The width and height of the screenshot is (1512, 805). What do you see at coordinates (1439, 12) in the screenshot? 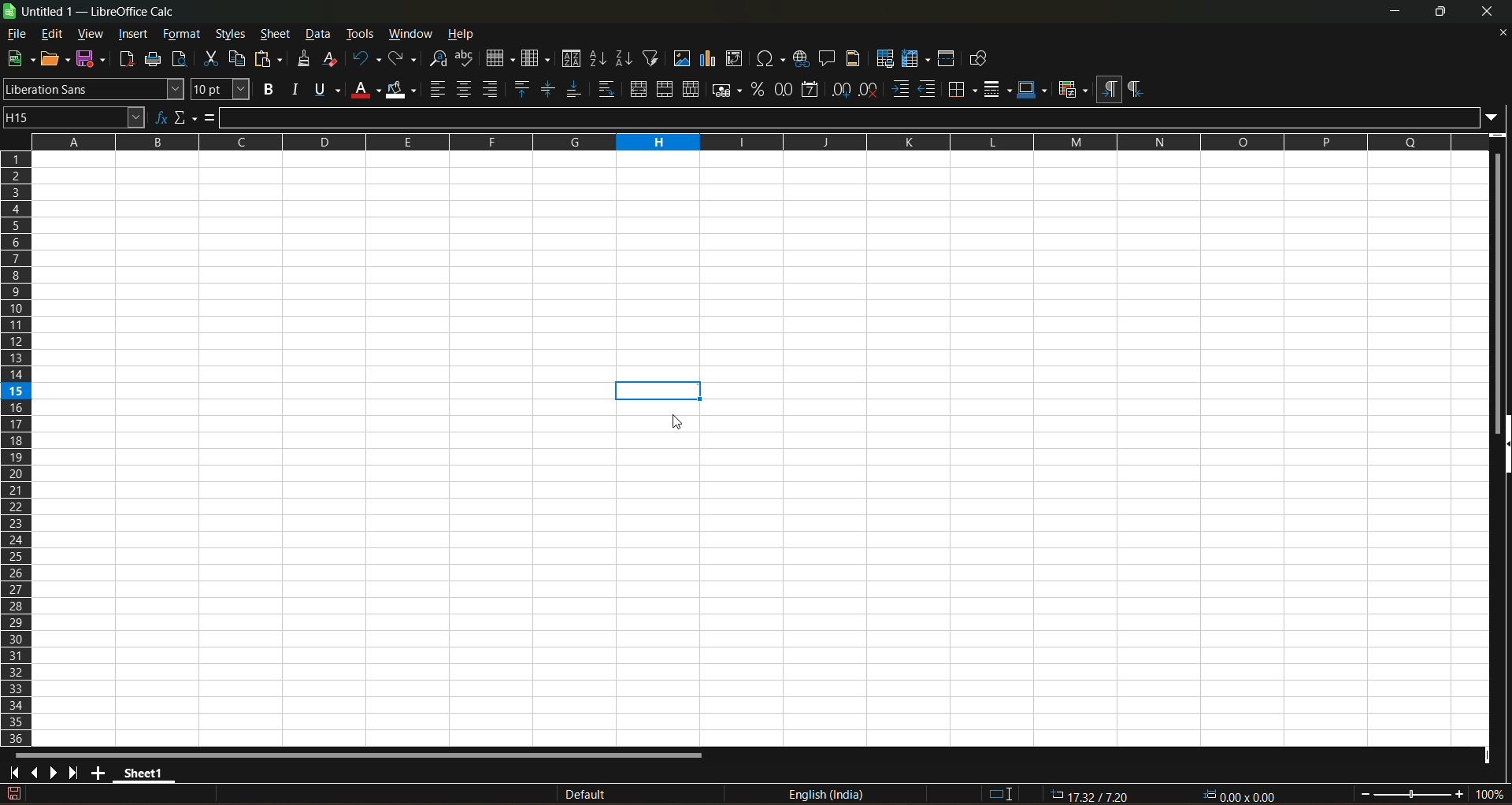
I see `maximize` at bounding box center [1439, 12].